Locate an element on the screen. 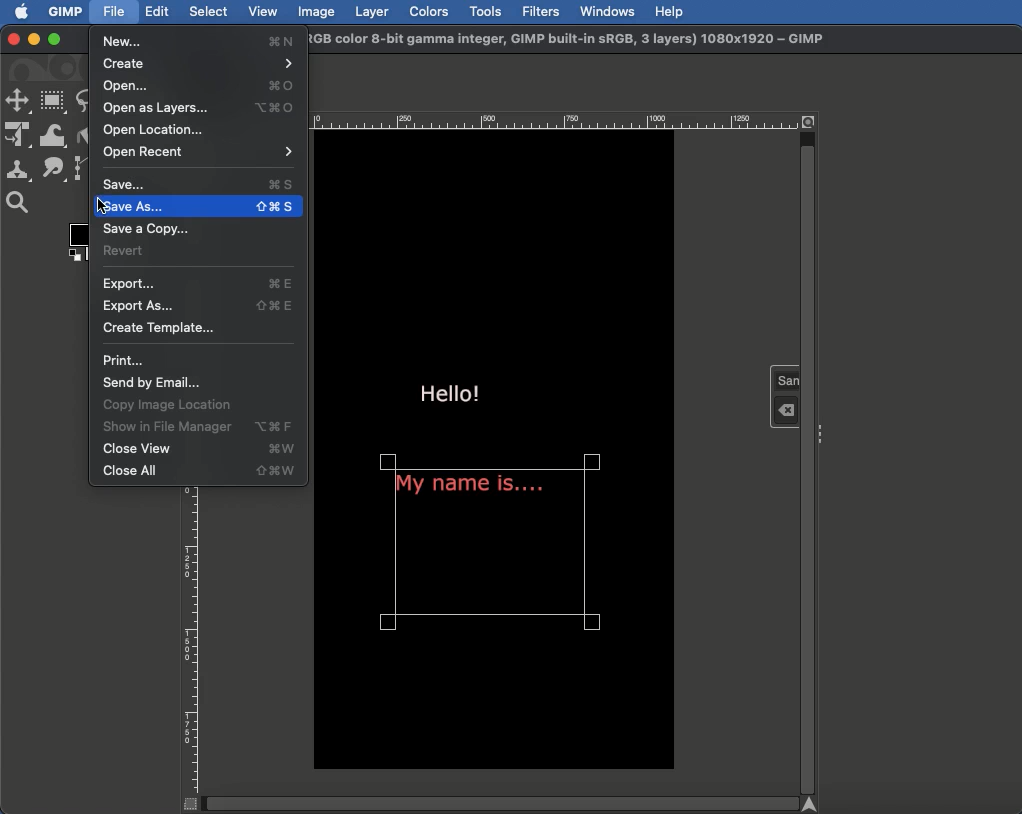 This screenshot has height=814, width=1022. Open is located at coordinates (201, 86).